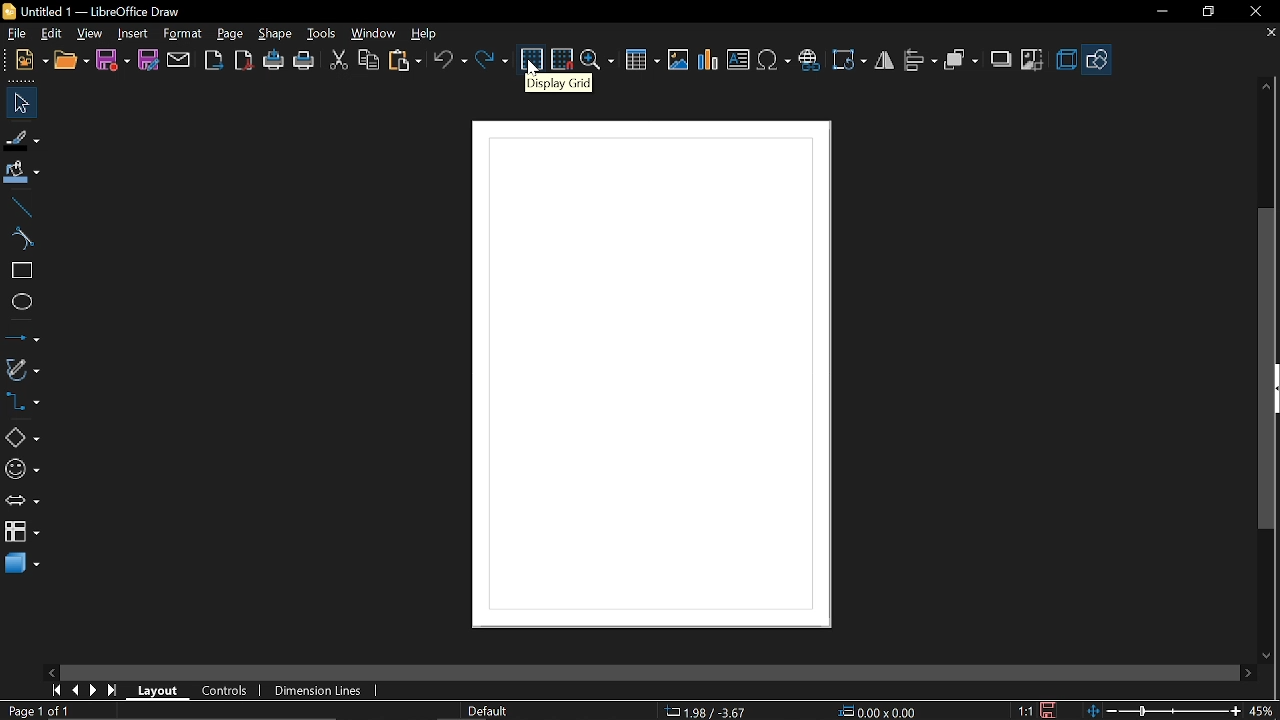 Image resolution: width=1280 pixels, height=720 pixels. What do you see at coordinates (43, 710) in the screenshot?
I see `Page 1 of 1` at bounding box center [43, 710].